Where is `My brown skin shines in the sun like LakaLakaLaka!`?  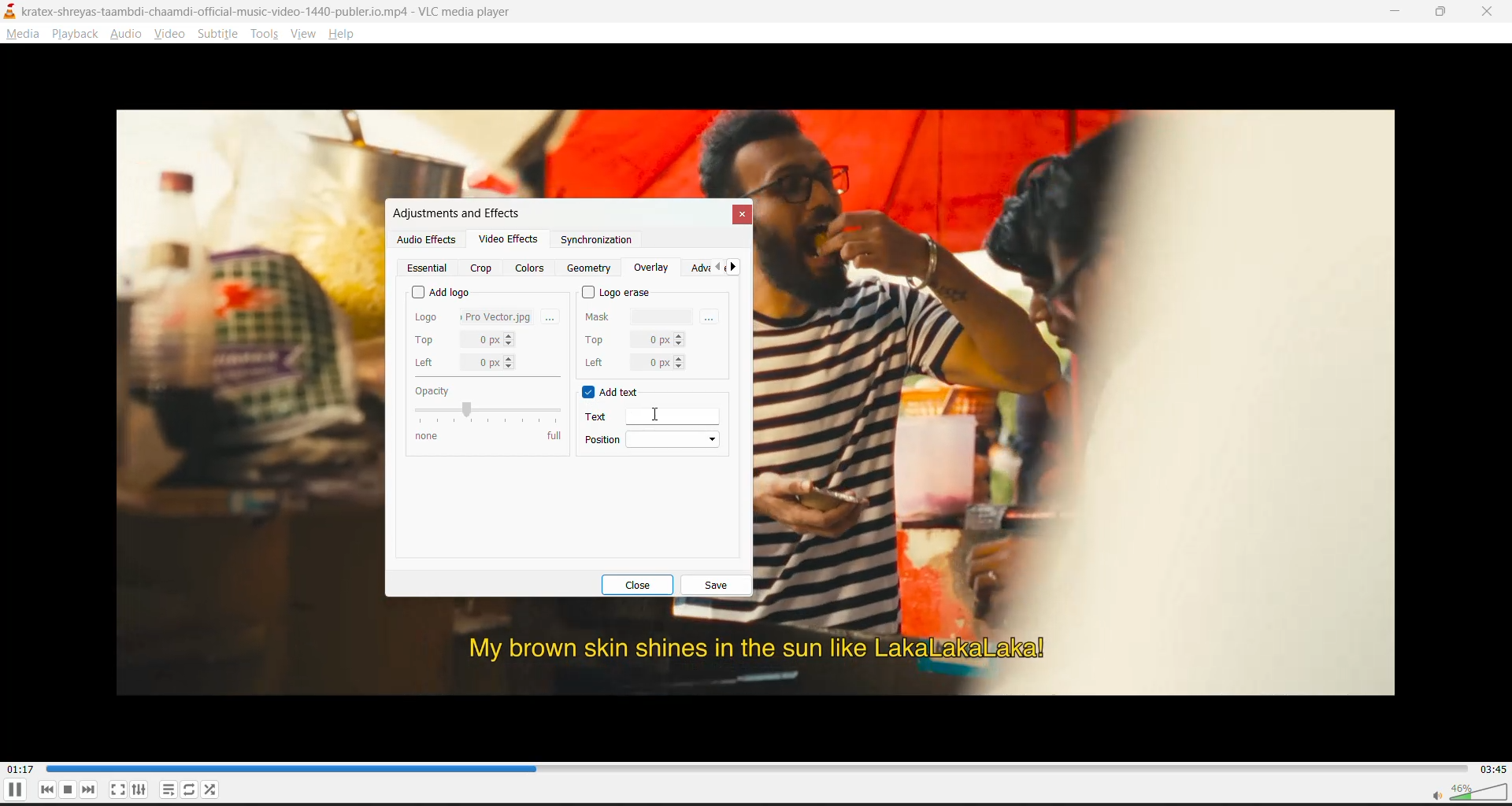 My brown skin shines in the sun like LakaLakaLaka! is located at coordinates (754, 649).